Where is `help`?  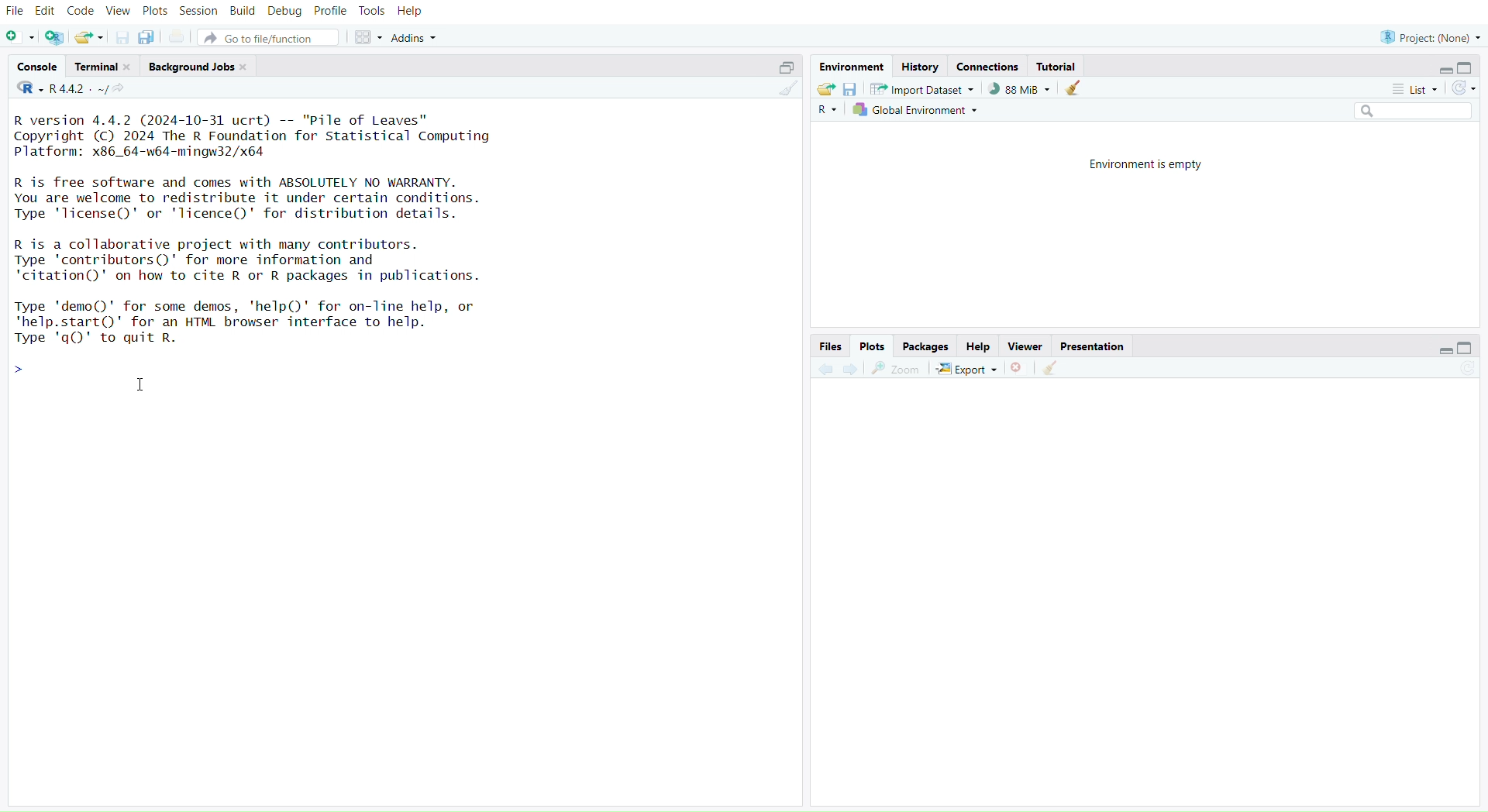
help is located at coordinates (979, 347).